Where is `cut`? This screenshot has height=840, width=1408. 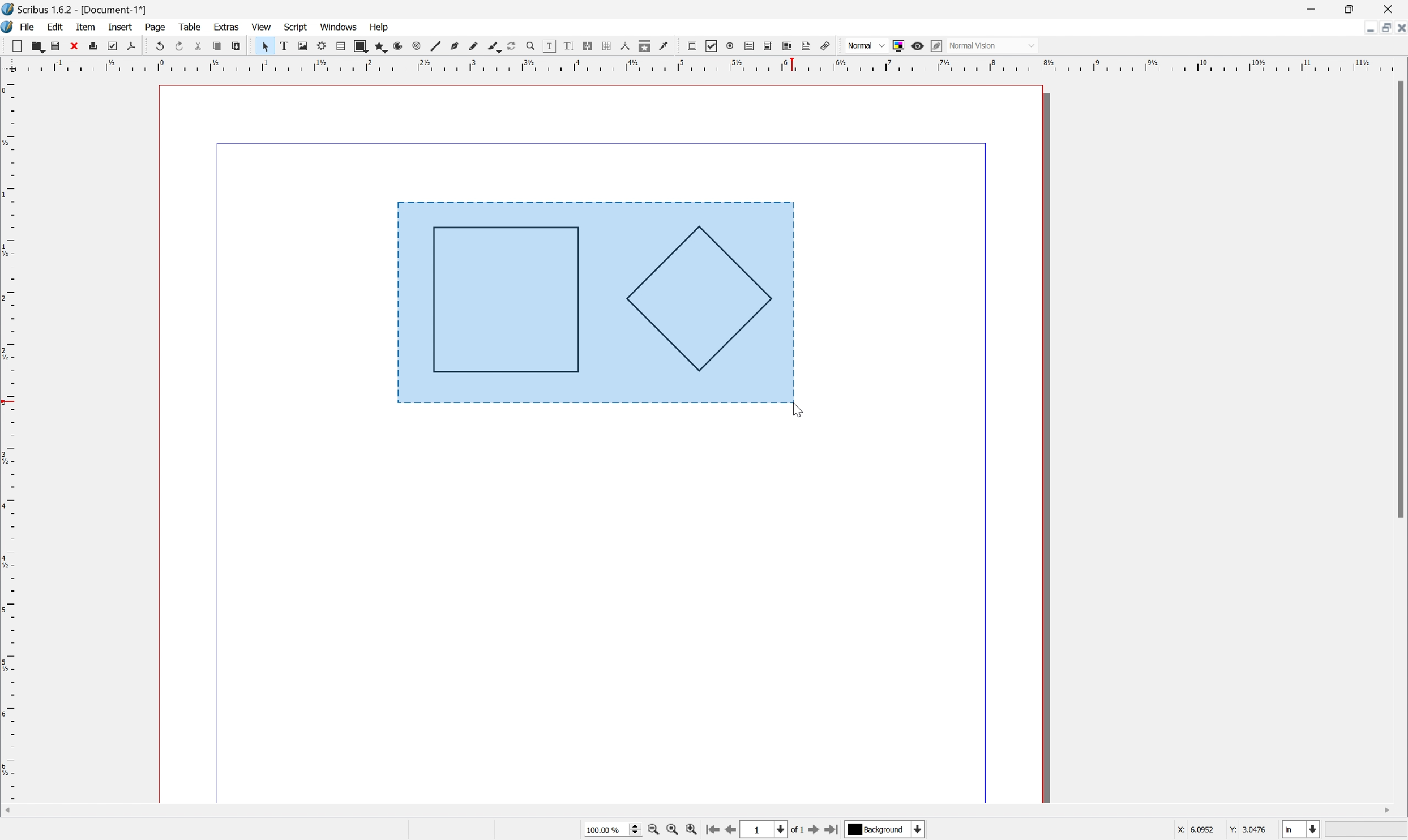 cut is located at coordinates (196, 46).